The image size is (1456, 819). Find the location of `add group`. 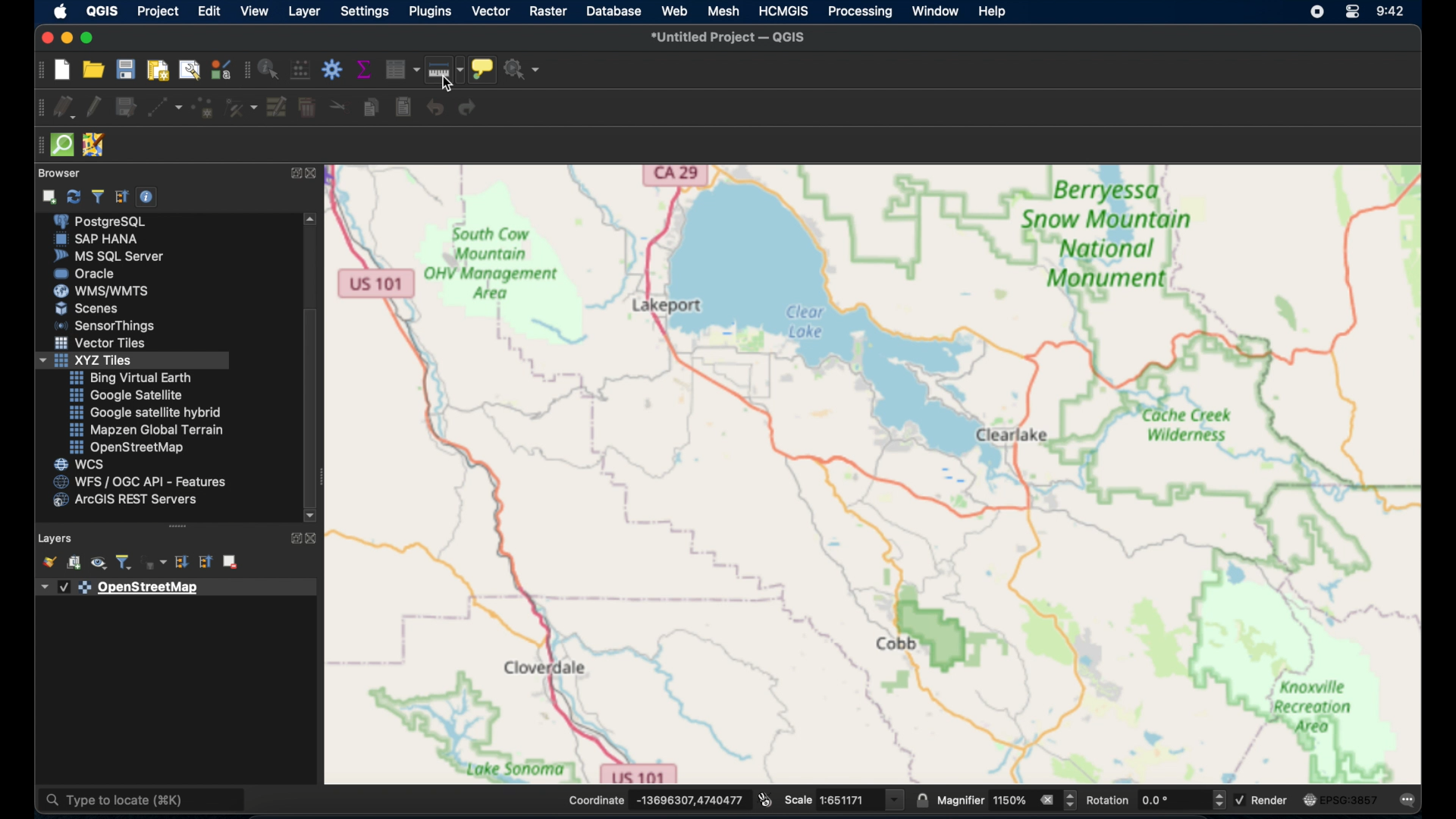

add group is located at coordinates (74, 564).